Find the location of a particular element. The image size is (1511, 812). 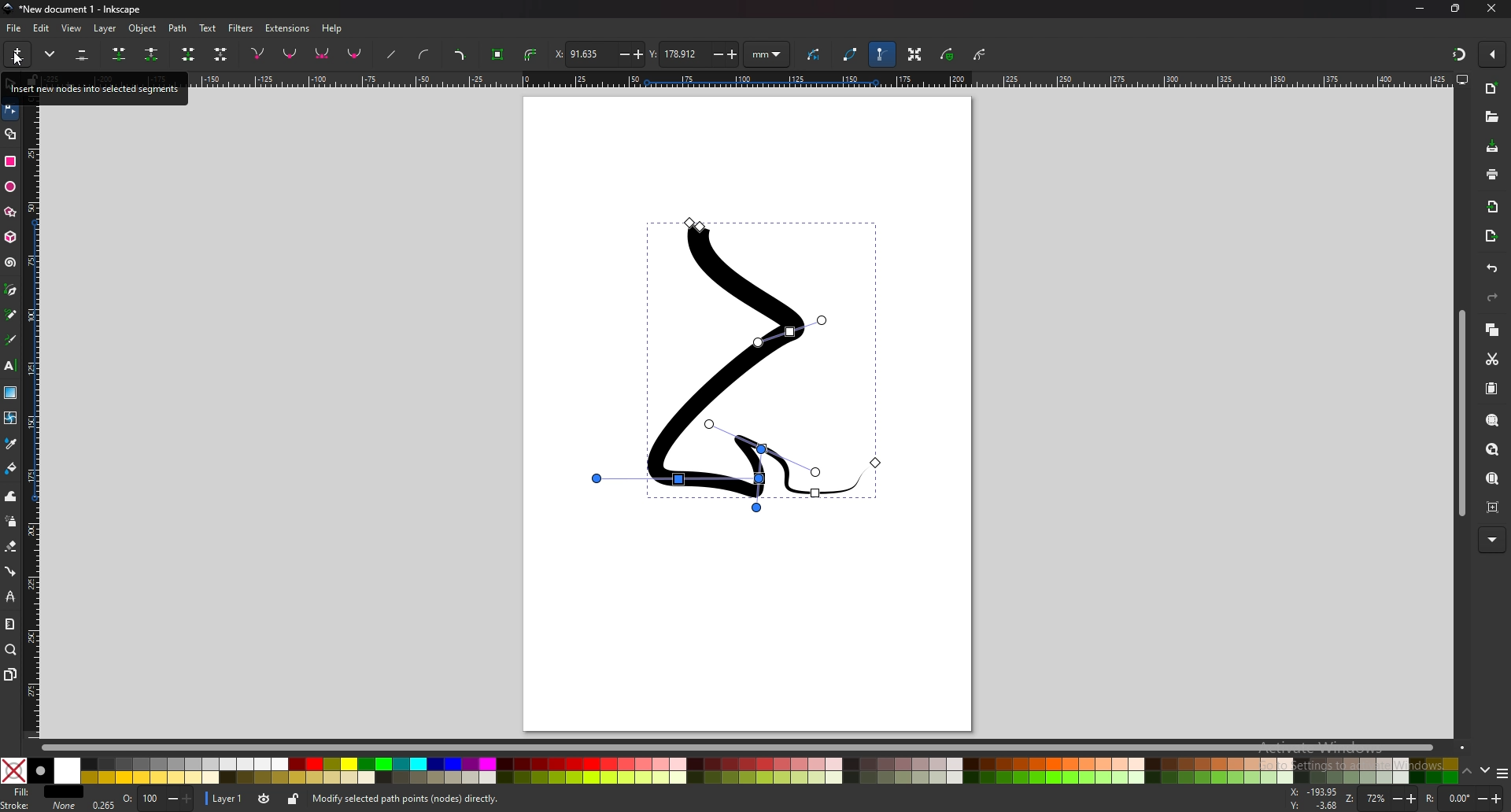

resize is located at coordinates (1457, 9).